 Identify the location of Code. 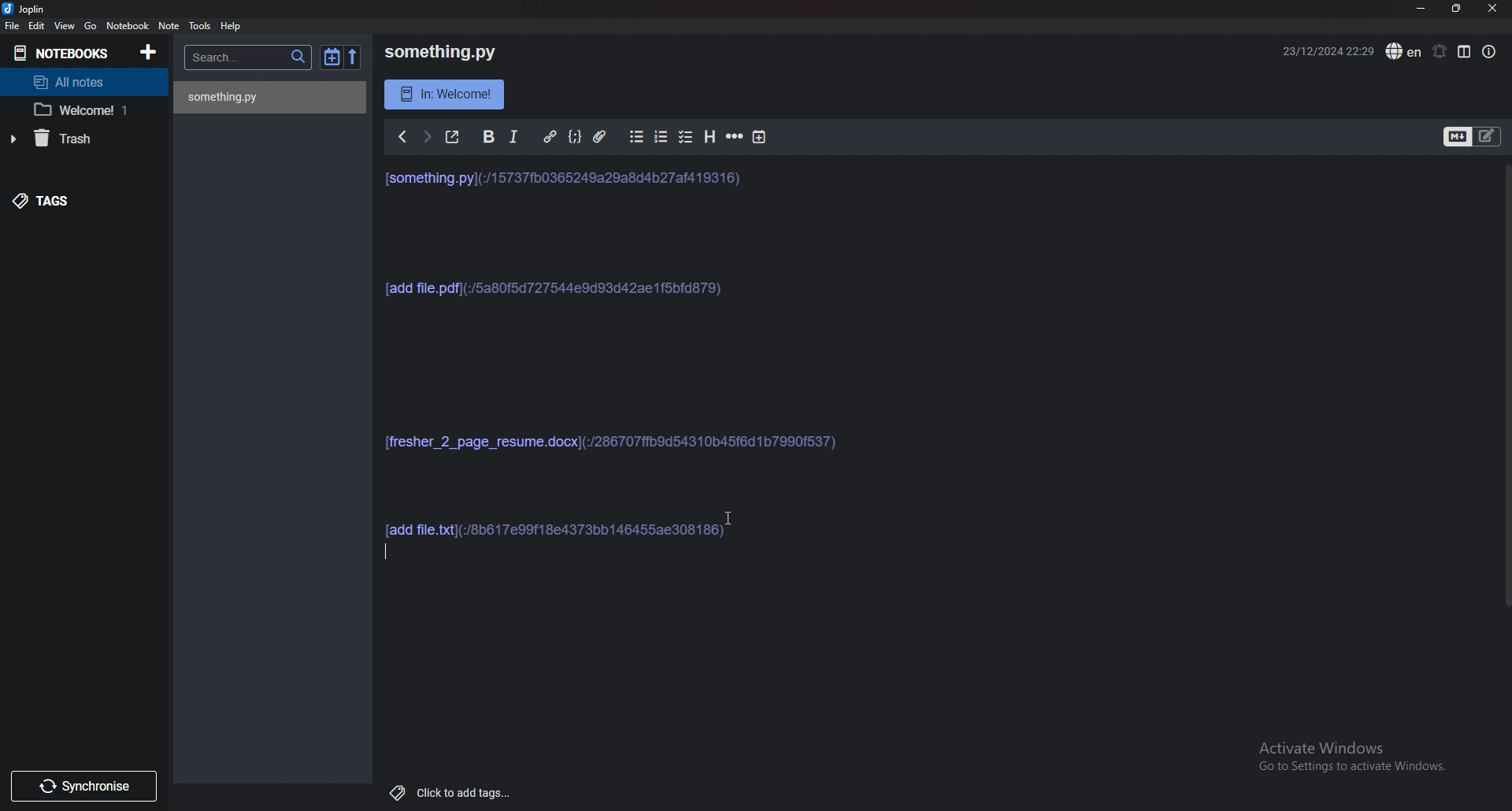
(576, 135).